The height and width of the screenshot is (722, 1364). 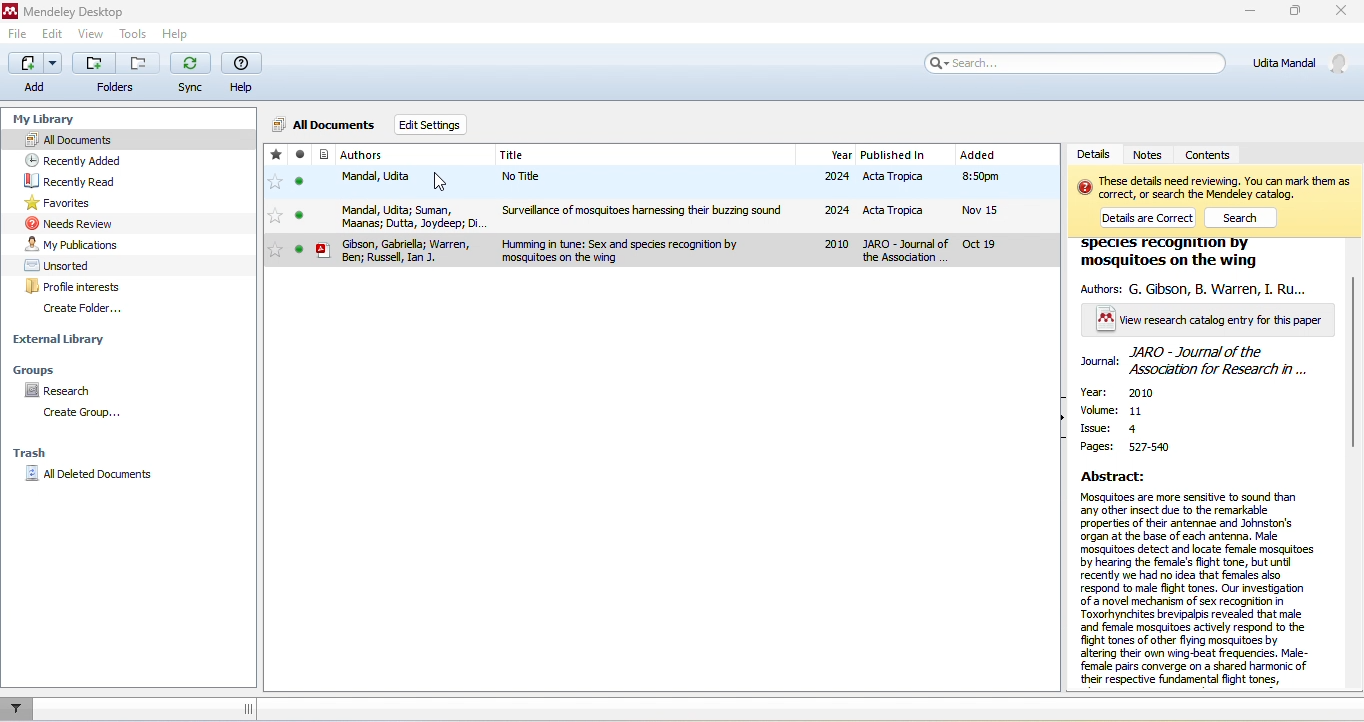 What do you see at coordinates (646, 182) in the screenshot?
I see `no title` at bounding box center [646, 182].